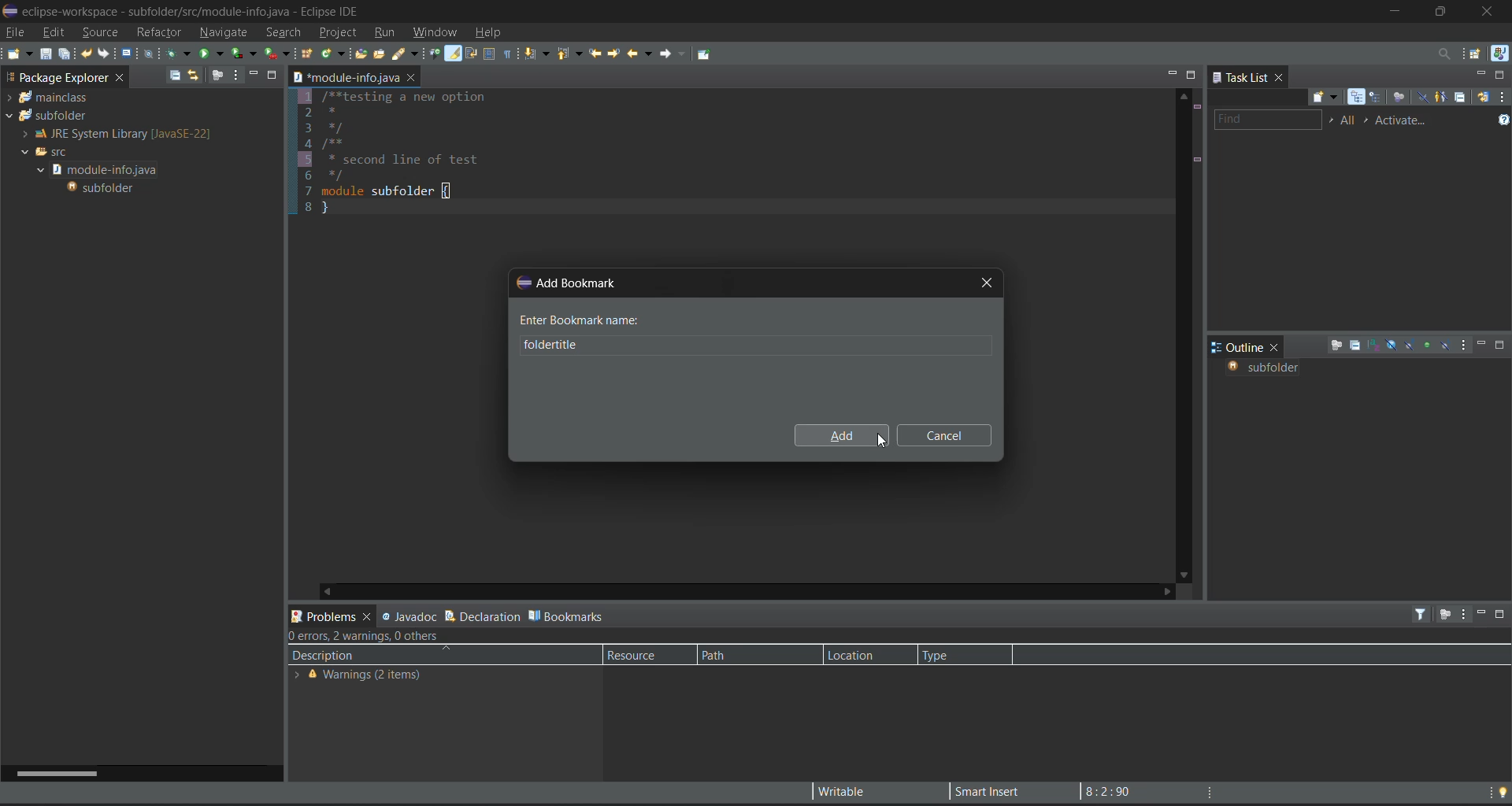 This screenshot has width=1512, height=806. What do you see at coordinates (362, 677) in the screenshot?
I see `Warning (2 items)` at bounding box center [362, 677].